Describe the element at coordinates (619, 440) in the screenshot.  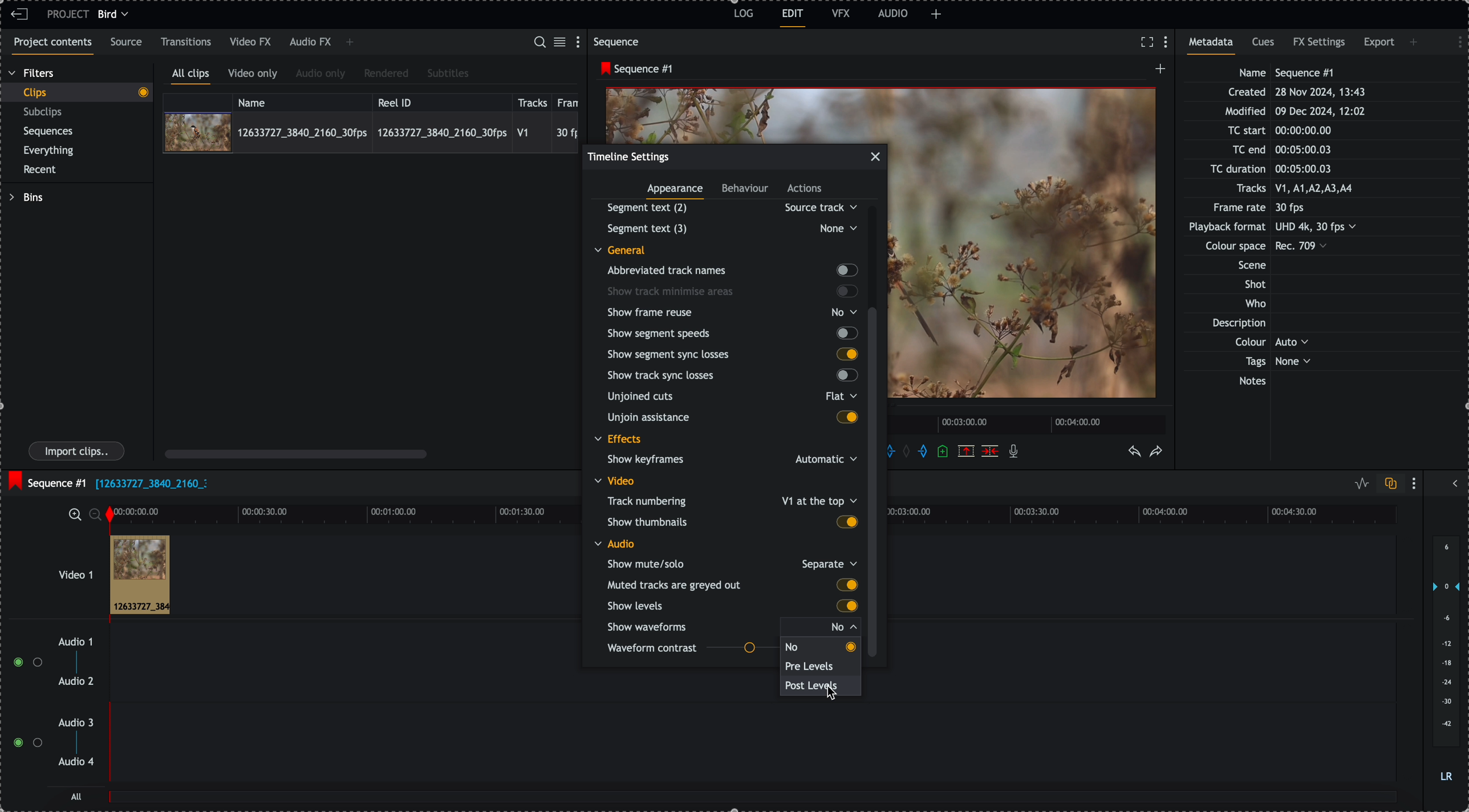
I see `effects` at that location.